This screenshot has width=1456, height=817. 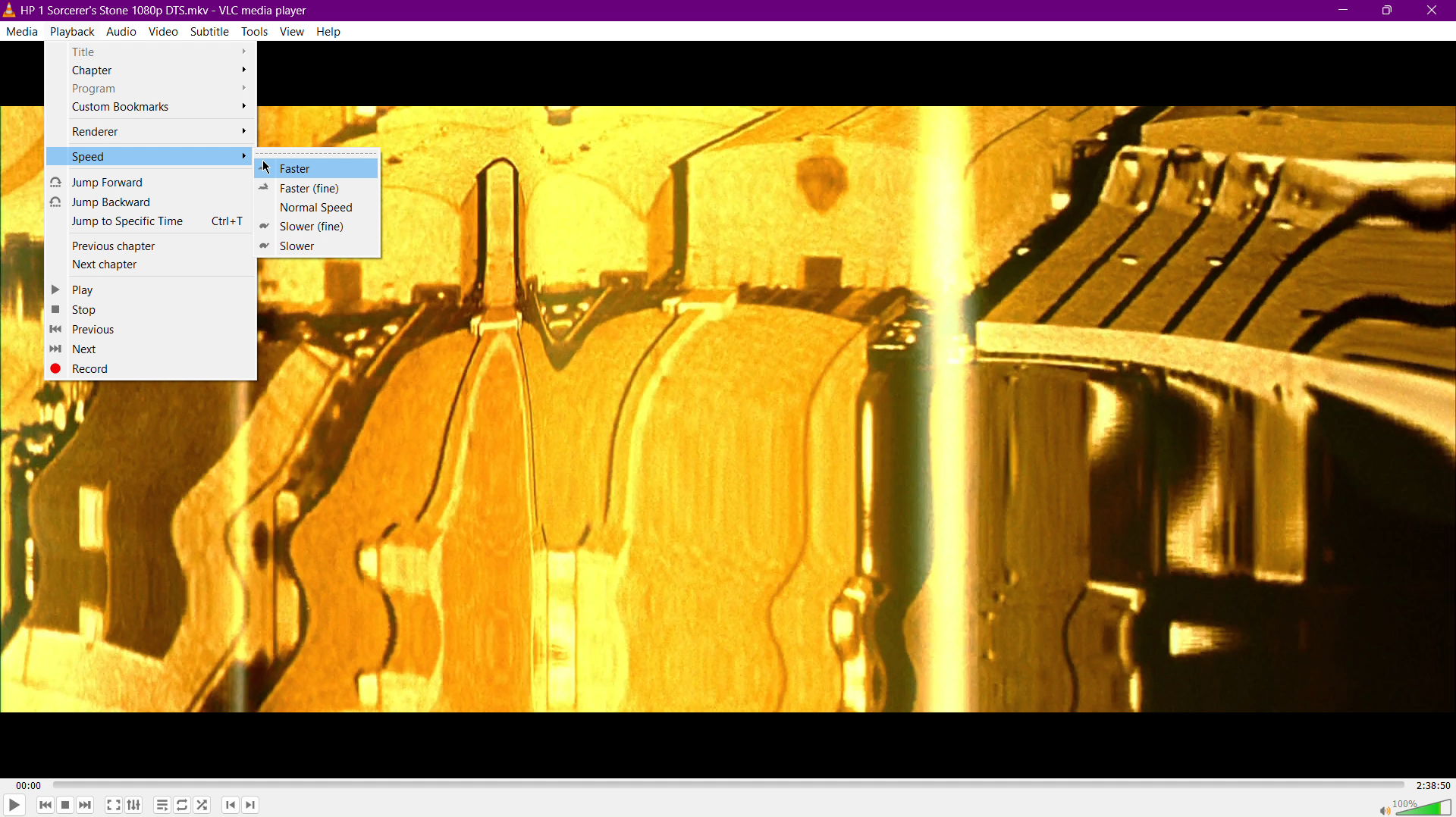 I want to click on Video, so click(x=163, y=30).